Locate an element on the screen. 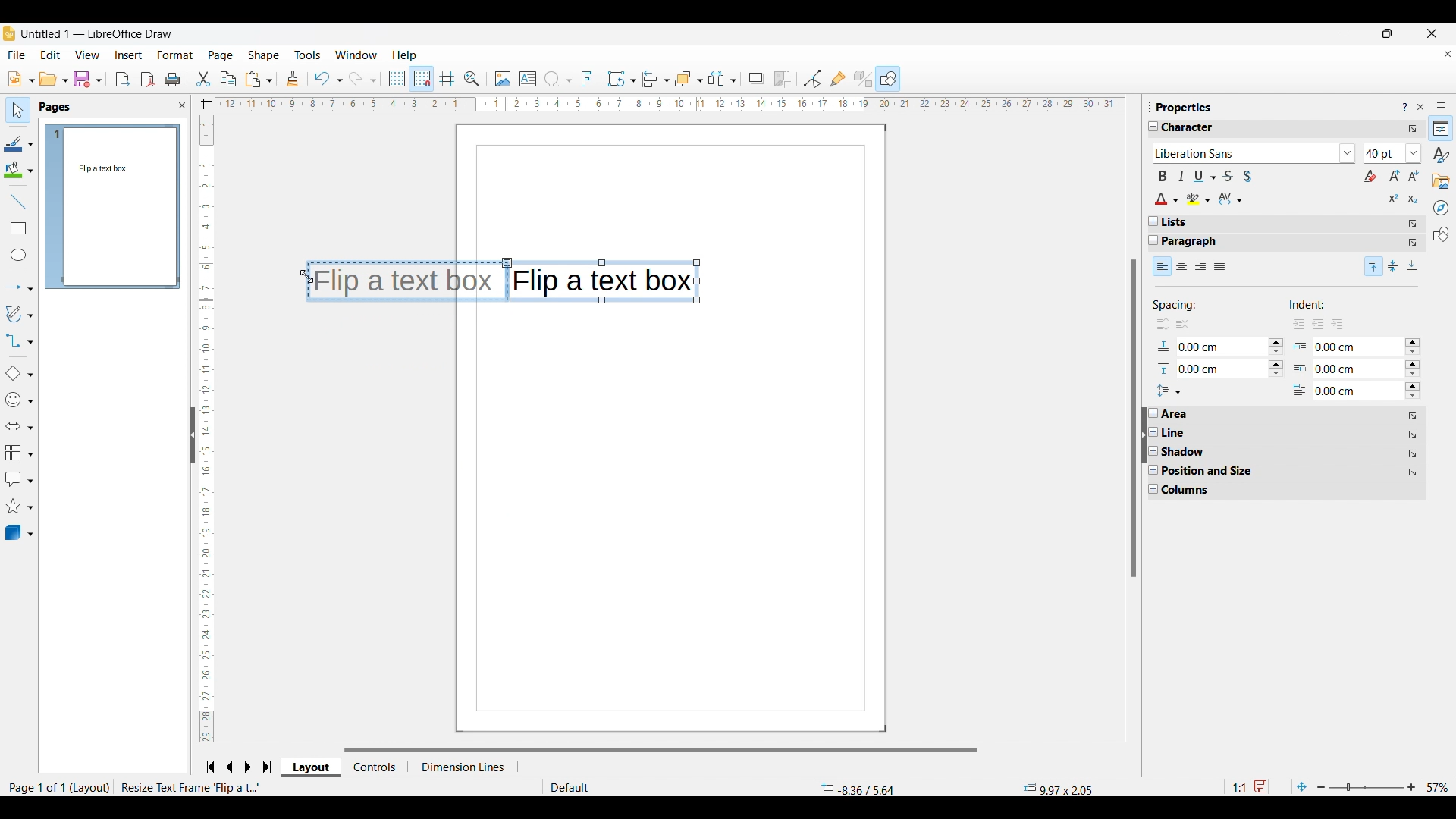  Star and banner options is located at coordinates (19, 507).